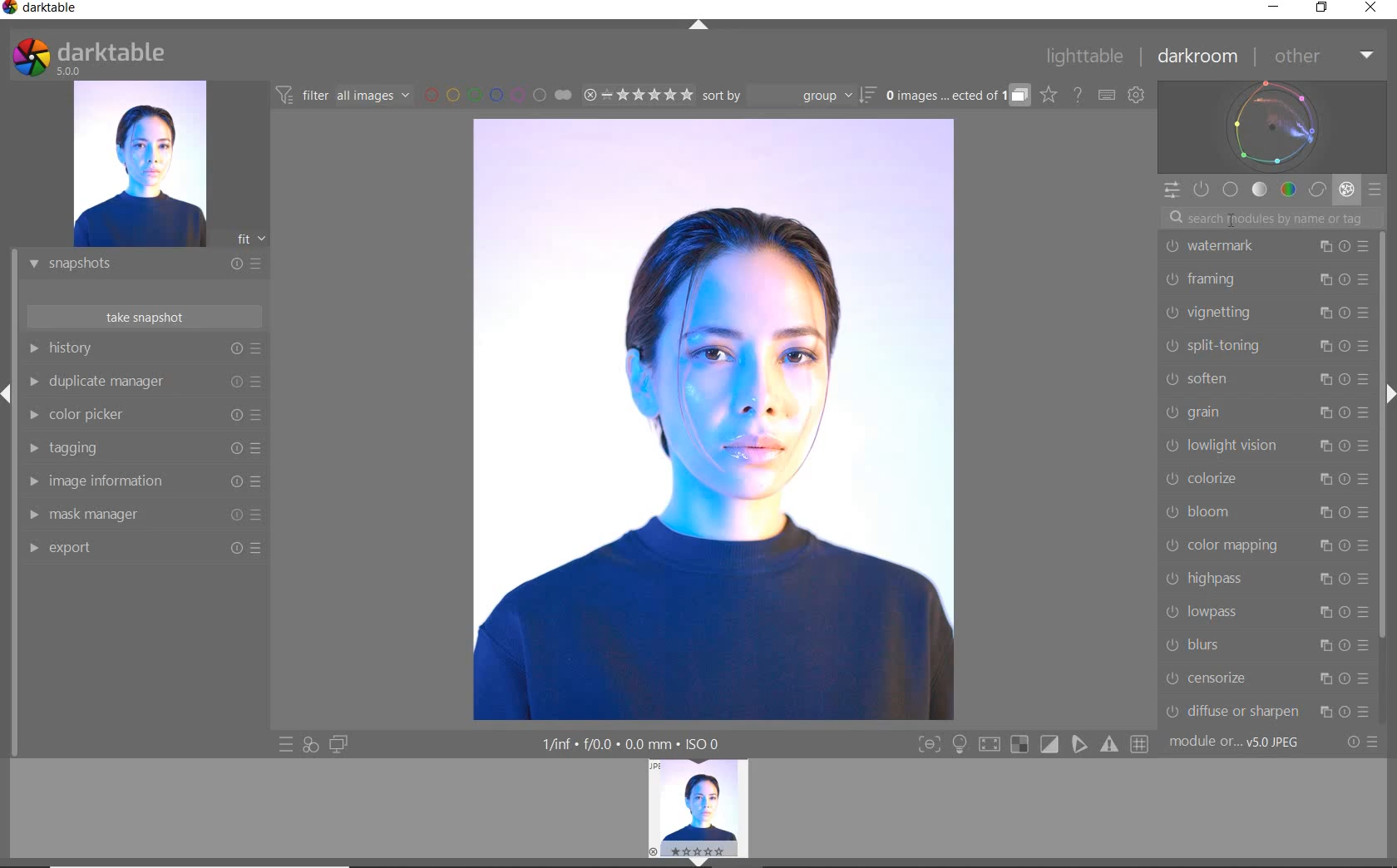 The image size is (1397, 868). Describe the element at coordinates (1271, 217) in the screenshot. I see `SEARCH MODULE BY NAME` at that location.